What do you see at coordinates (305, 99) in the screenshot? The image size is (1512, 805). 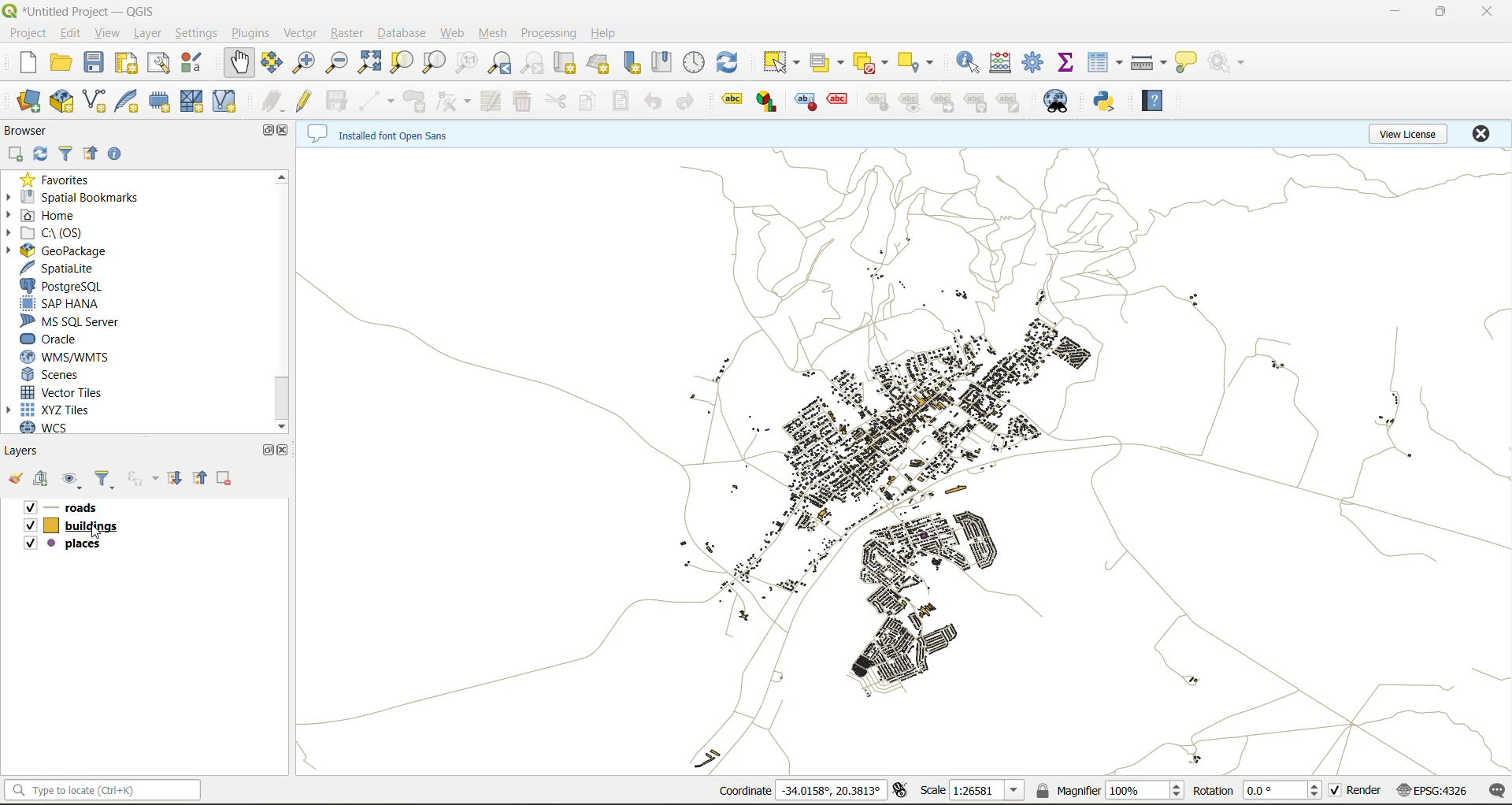 I see `toggle edits` at bounding box center [305, 99].